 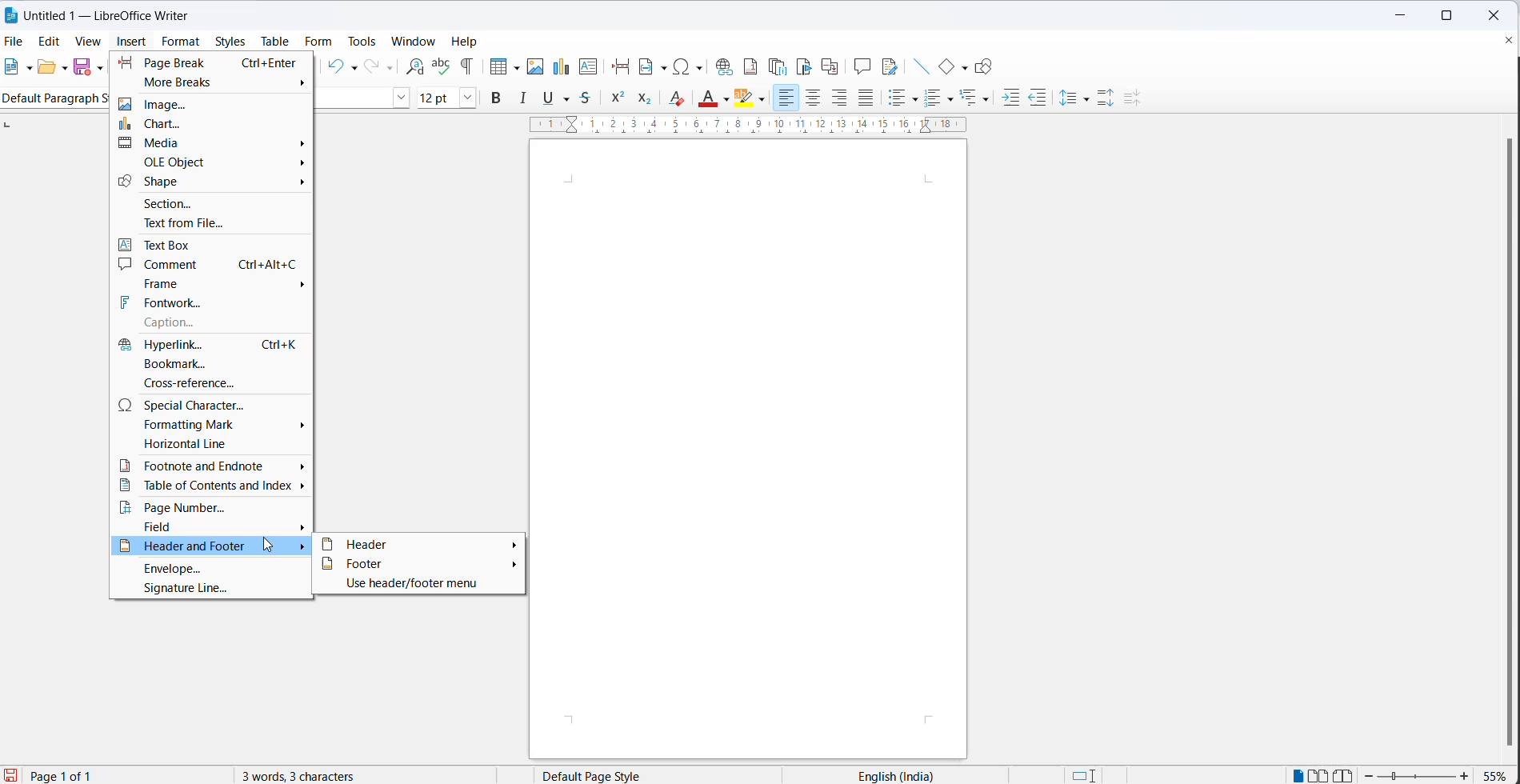 I want to click on underline, so click(x=550, y=98).